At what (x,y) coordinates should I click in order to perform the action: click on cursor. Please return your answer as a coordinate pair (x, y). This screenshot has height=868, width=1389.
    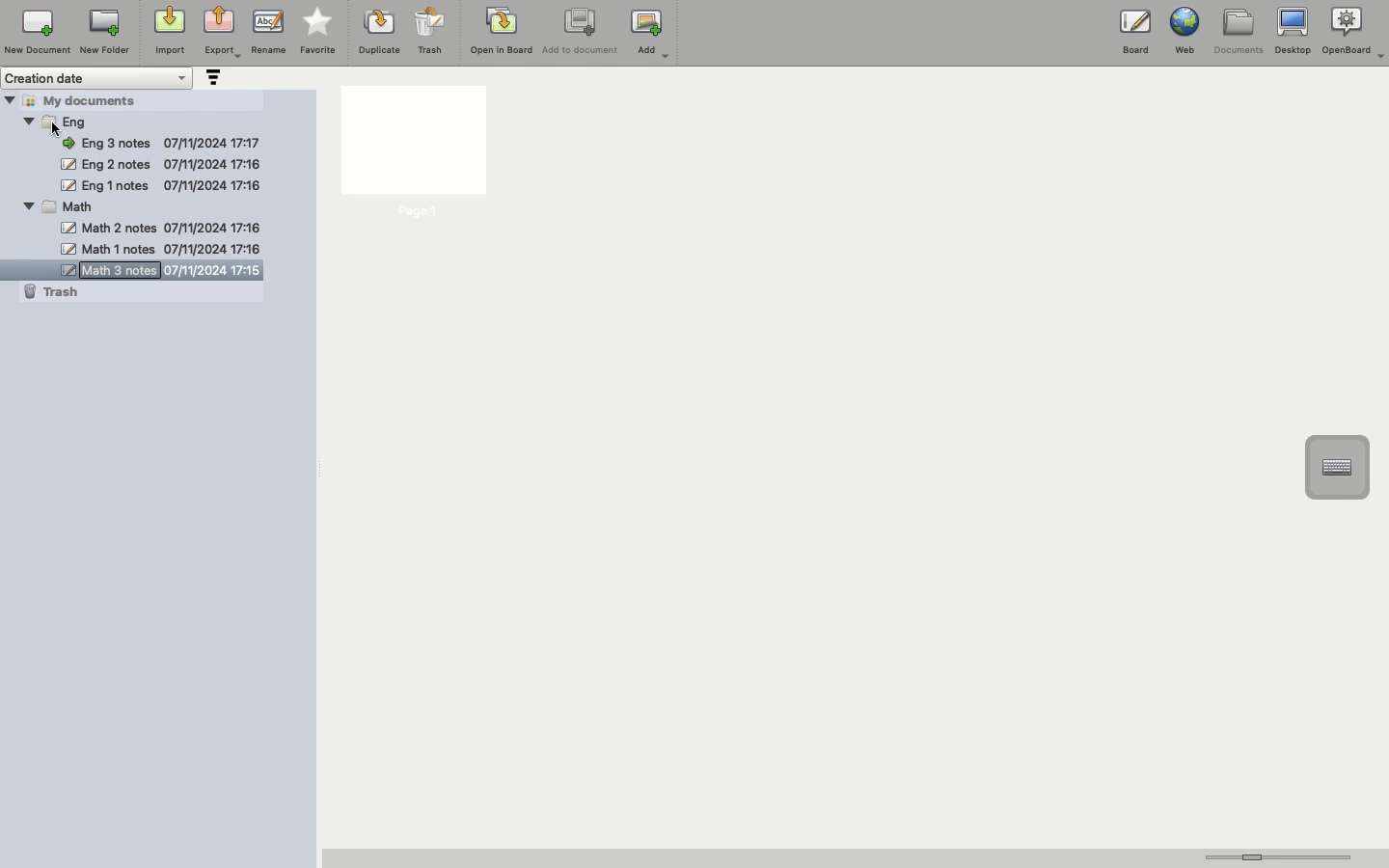
    Looking at the image, I should click on (59, 131).